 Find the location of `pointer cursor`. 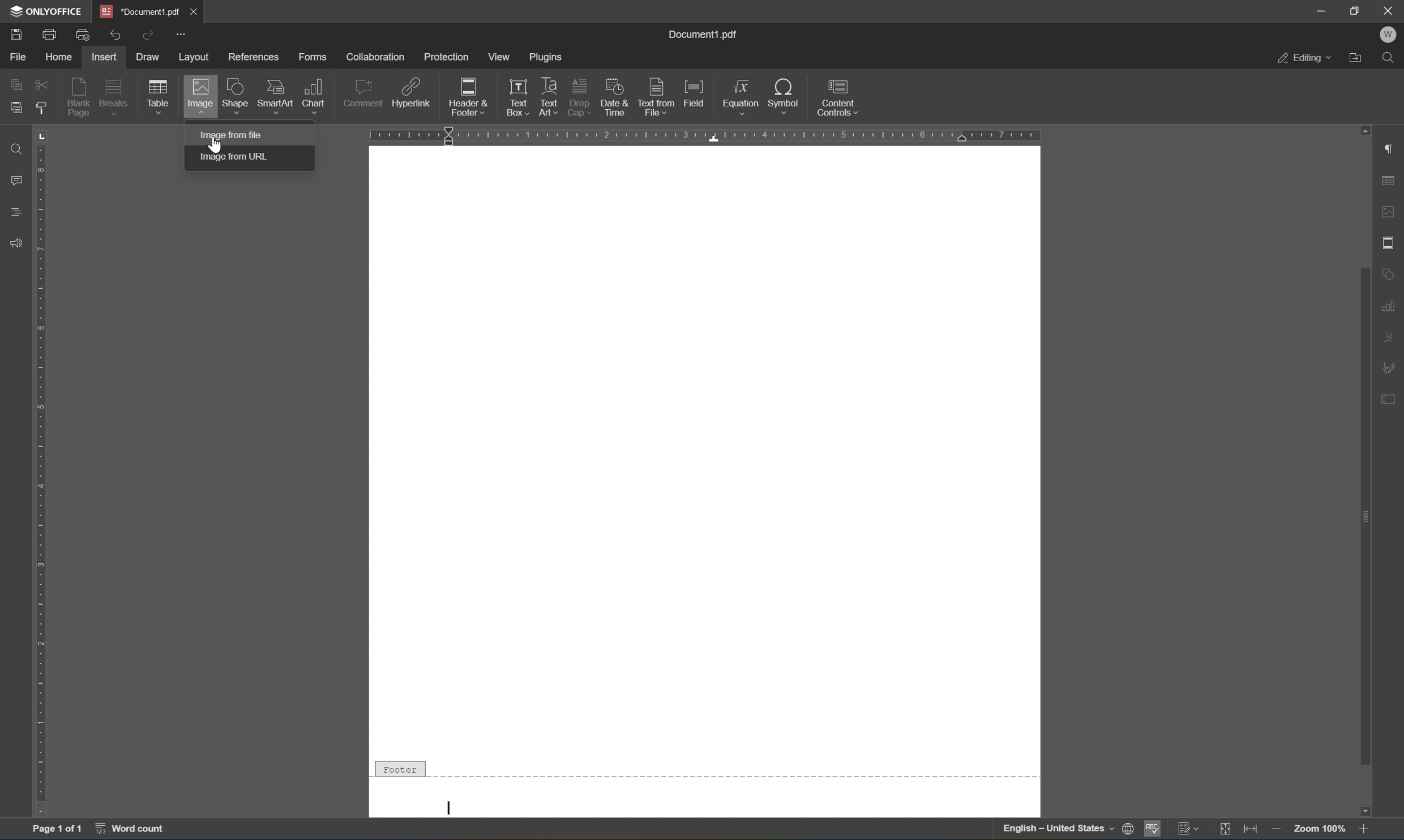

pointer cursor is located at coordinates (218, 144).